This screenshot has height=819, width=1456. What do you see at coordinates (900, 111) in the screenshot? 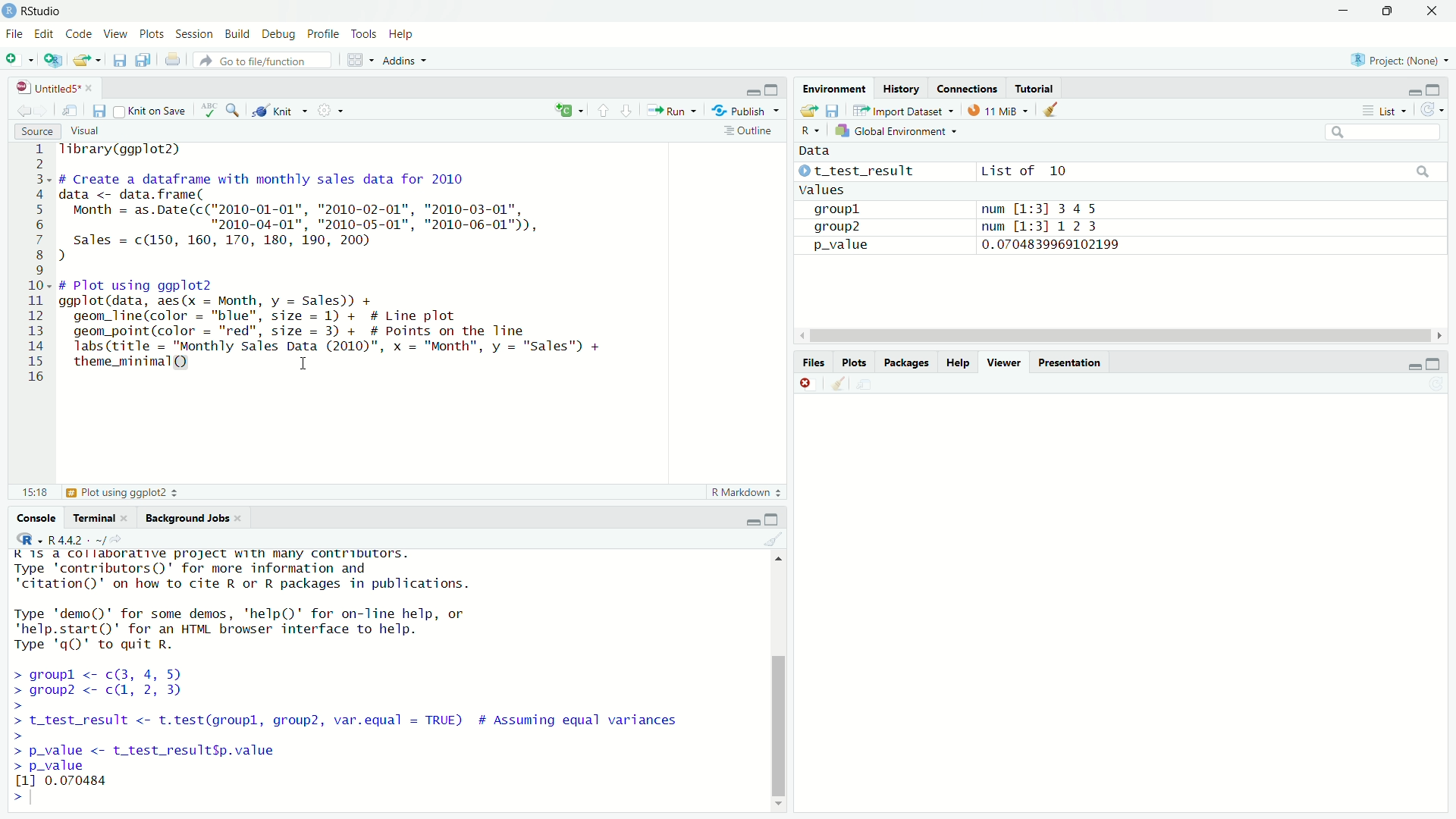
I see `Import Dataset` at bounding box center [900, 111].